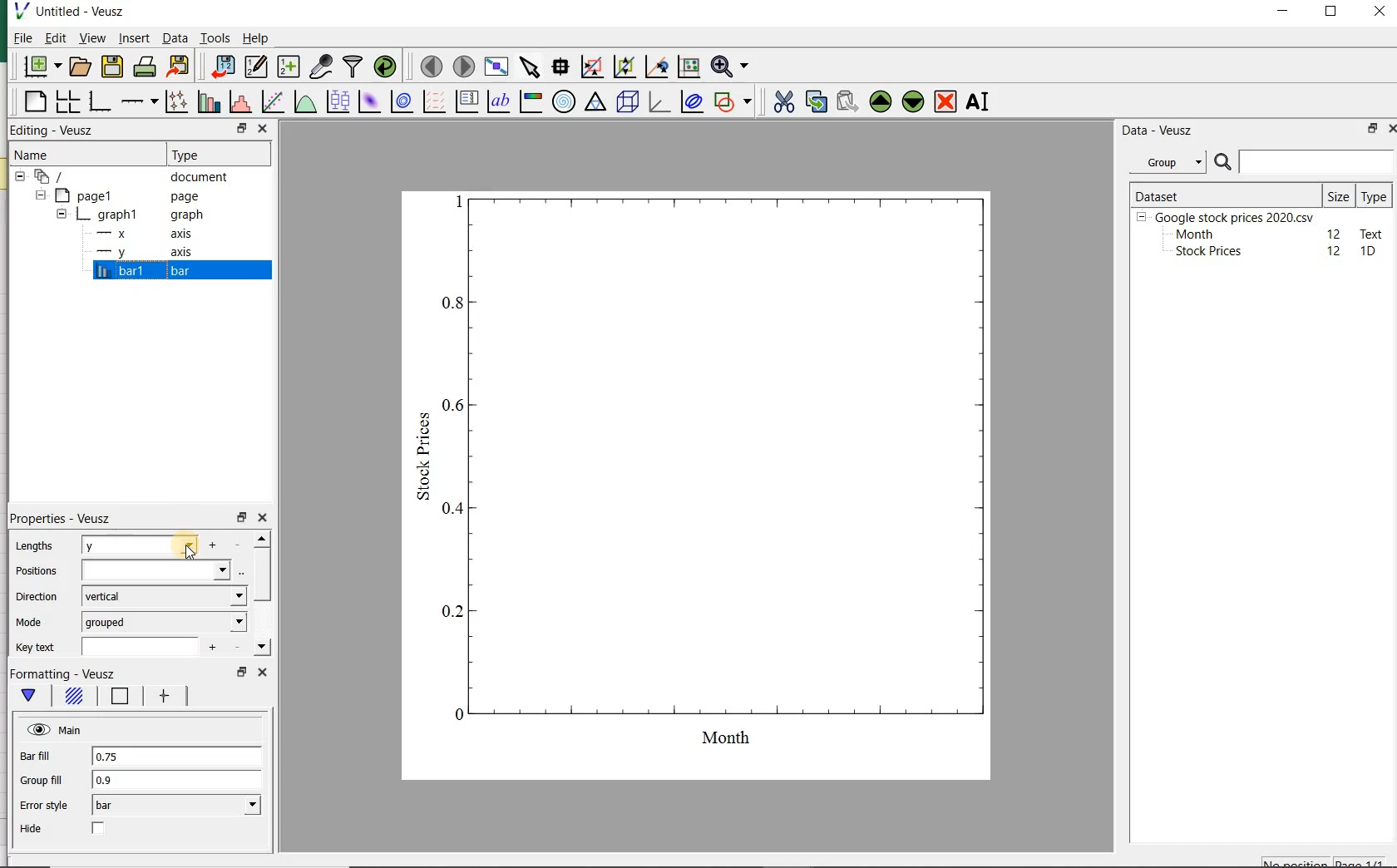 This screenshot has width=1397, height=868. I want to click on Fill, so click(76, 697).